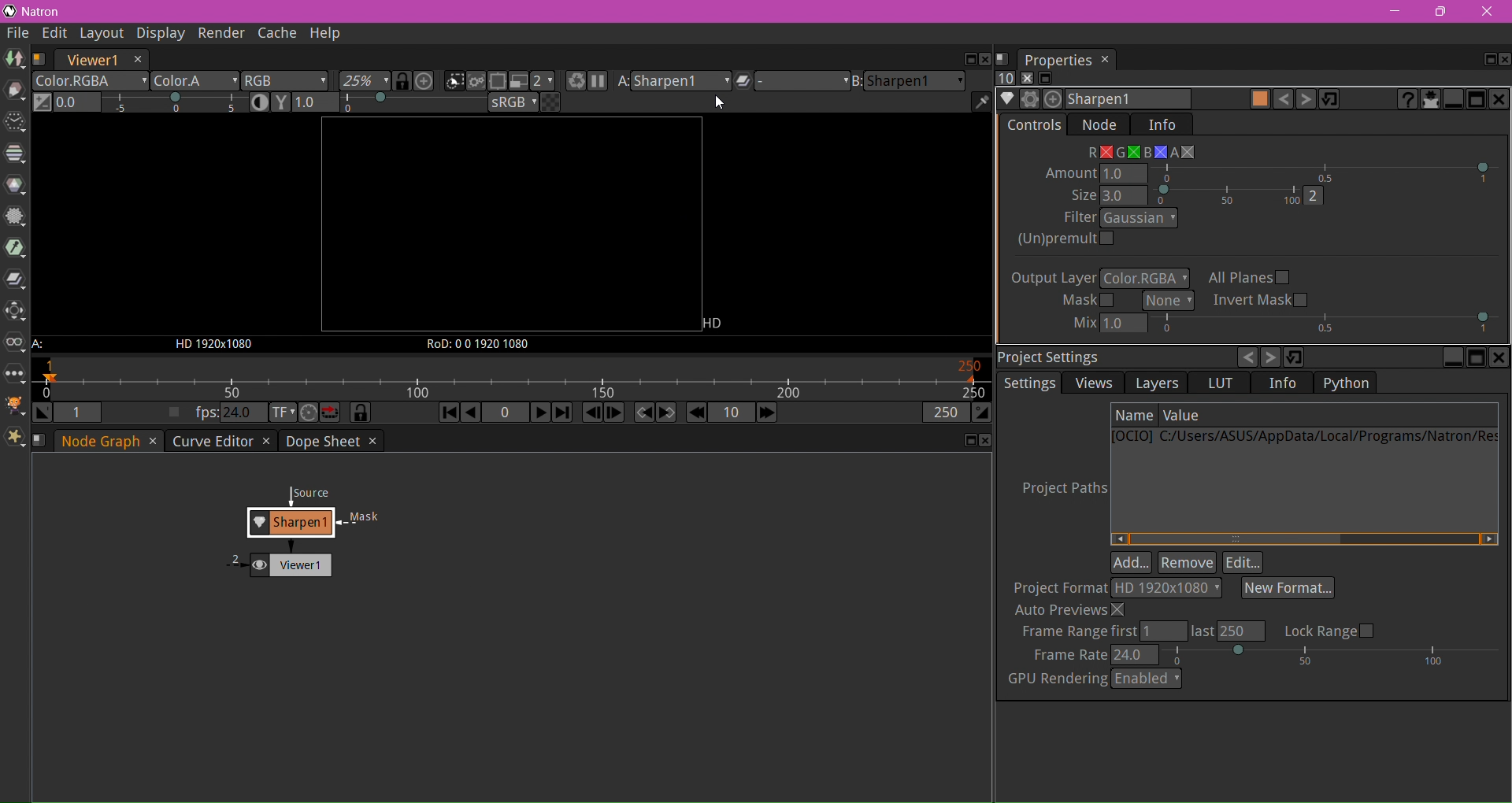 This screenshot has width=1512, height=803. Describe the element at coordinates (1329, 99) in the screenshot. I see `Restore default value for this operator` at that location.